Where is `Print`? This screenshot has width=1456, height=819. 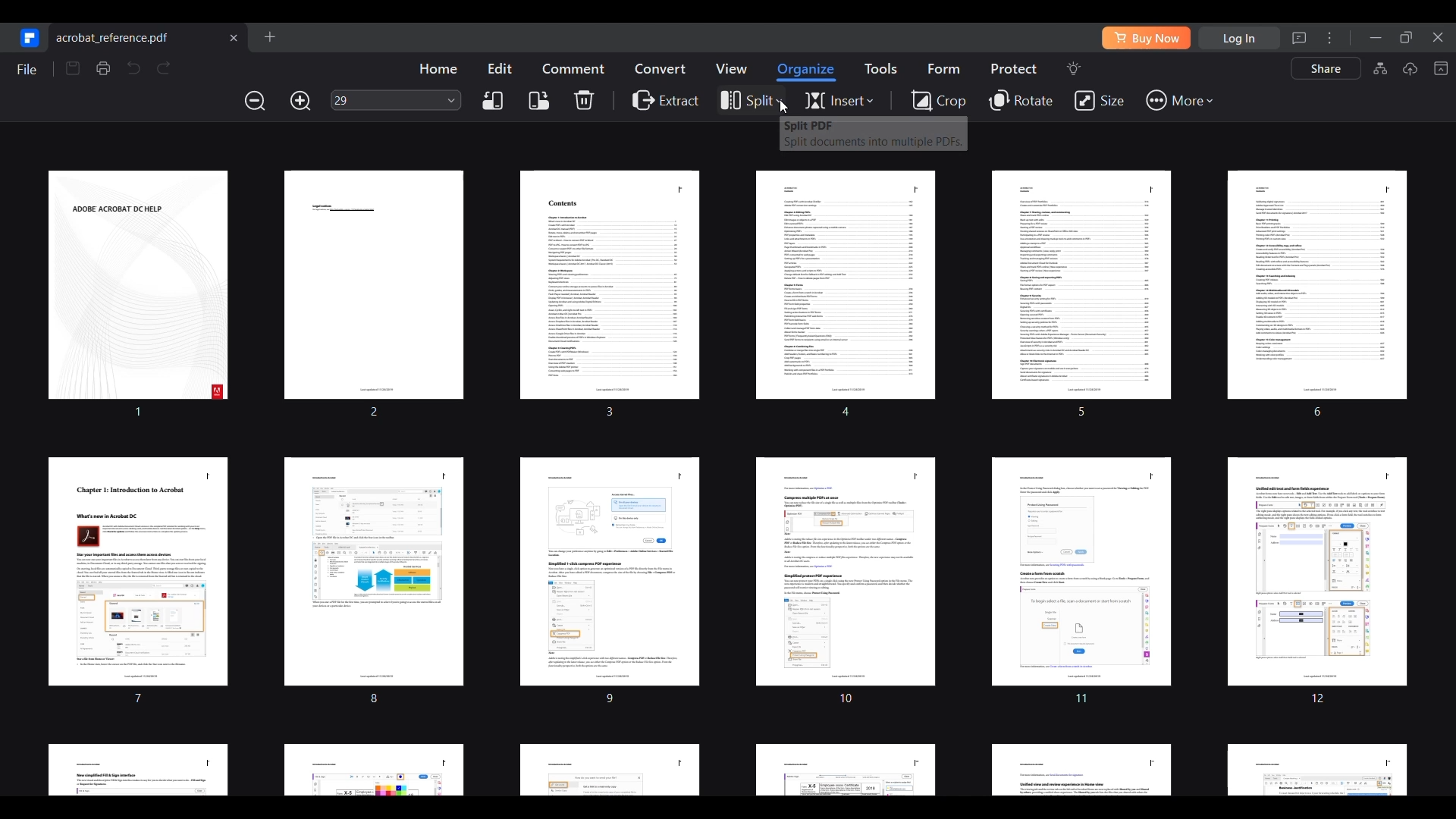 Print is located at coordinates (102, 68).